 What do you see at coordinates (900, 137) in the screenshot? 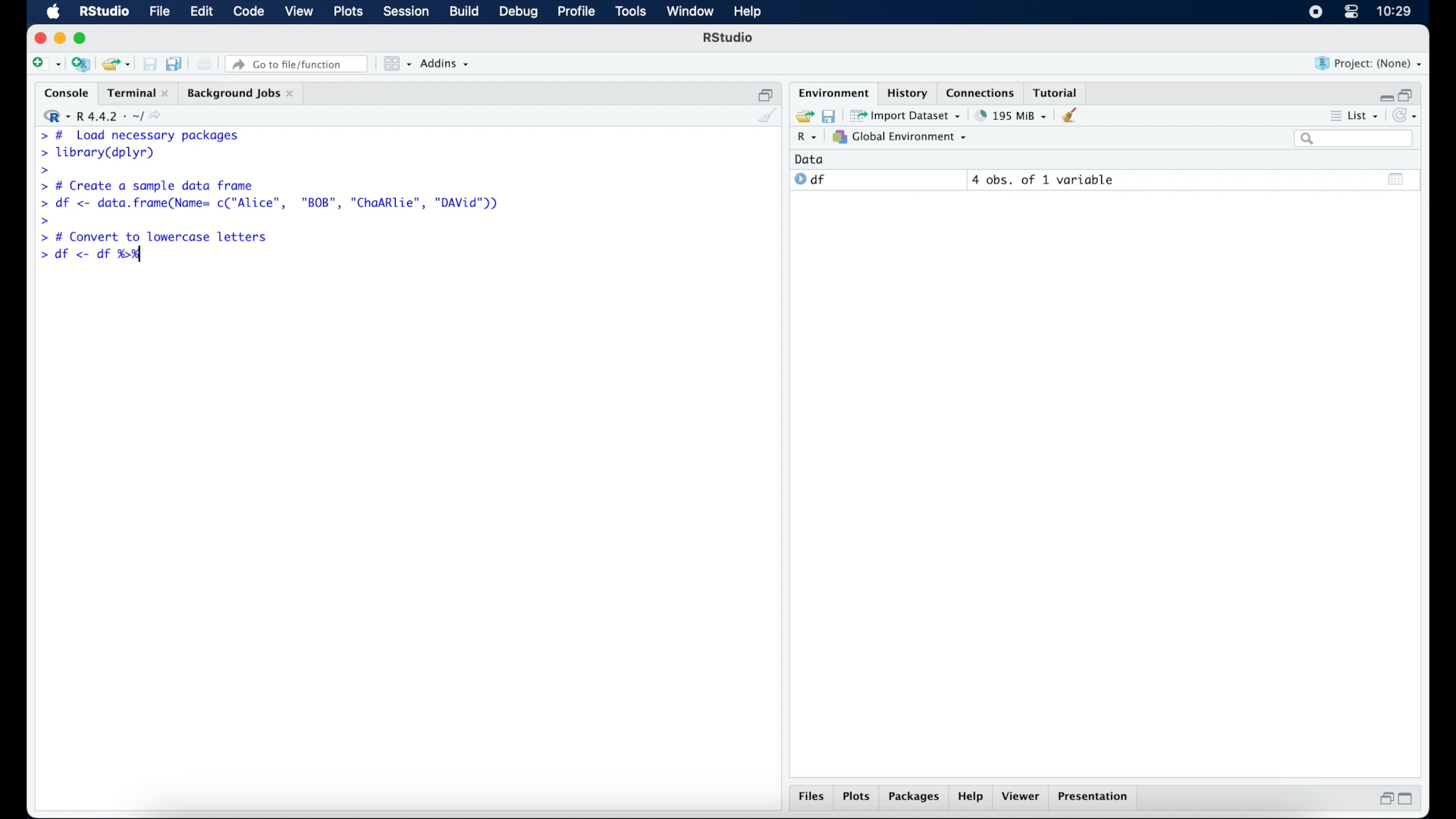
I see `global environment` at bounding box center [900, 137].